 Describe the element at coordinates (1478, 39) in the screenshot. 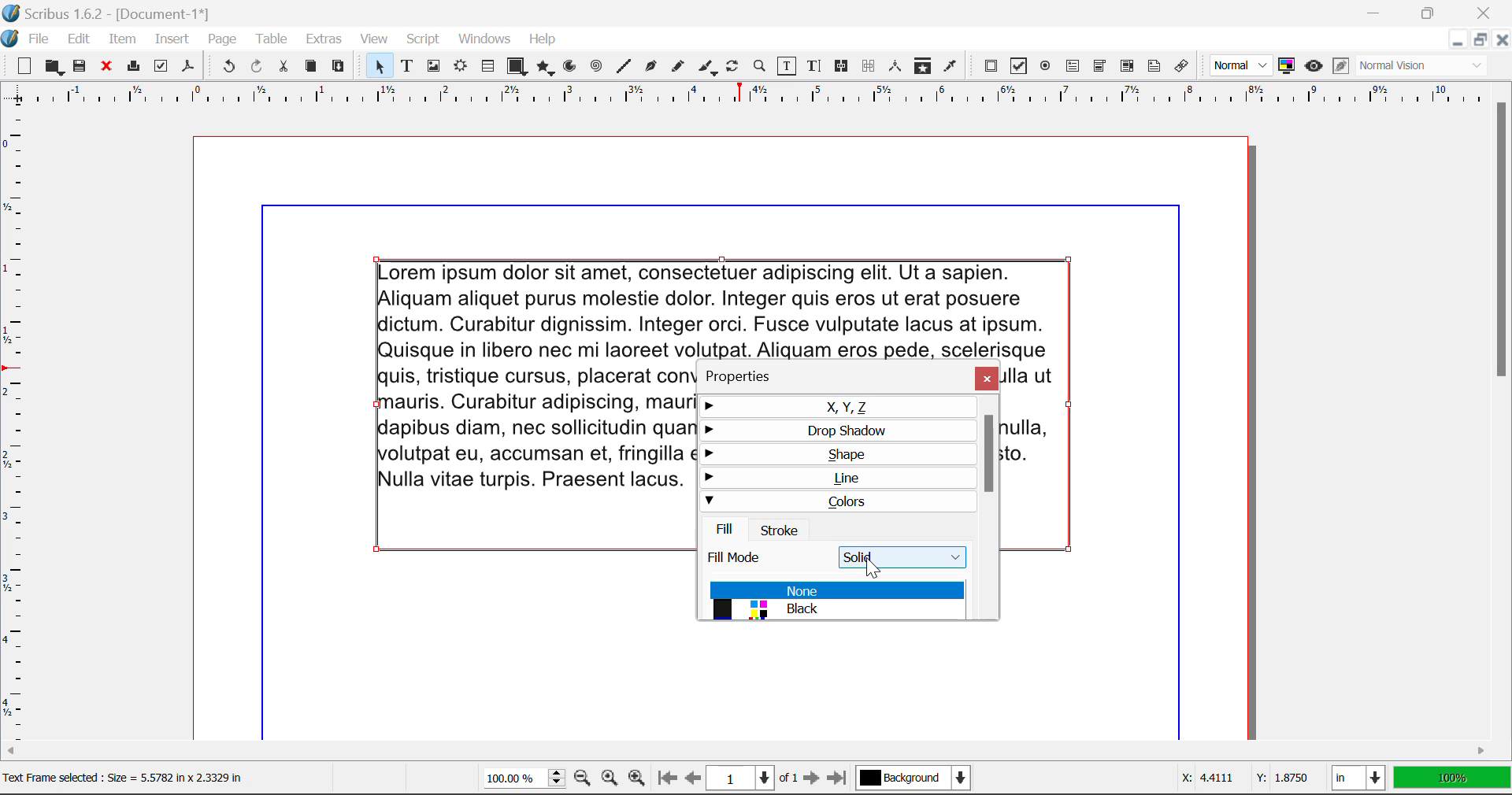

I see `Minimize` at that location.